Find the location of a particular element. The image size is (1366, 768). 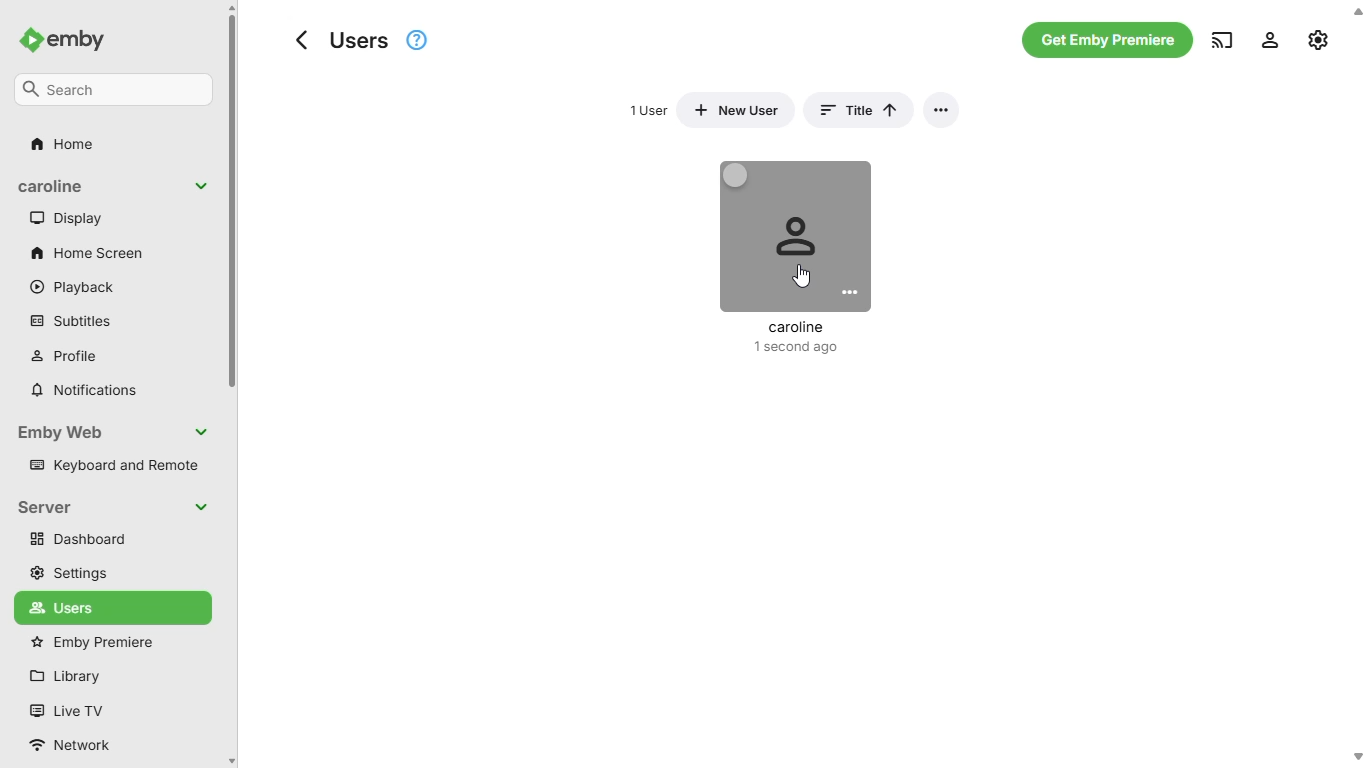

Cursor is located at coordinates (802, 278).